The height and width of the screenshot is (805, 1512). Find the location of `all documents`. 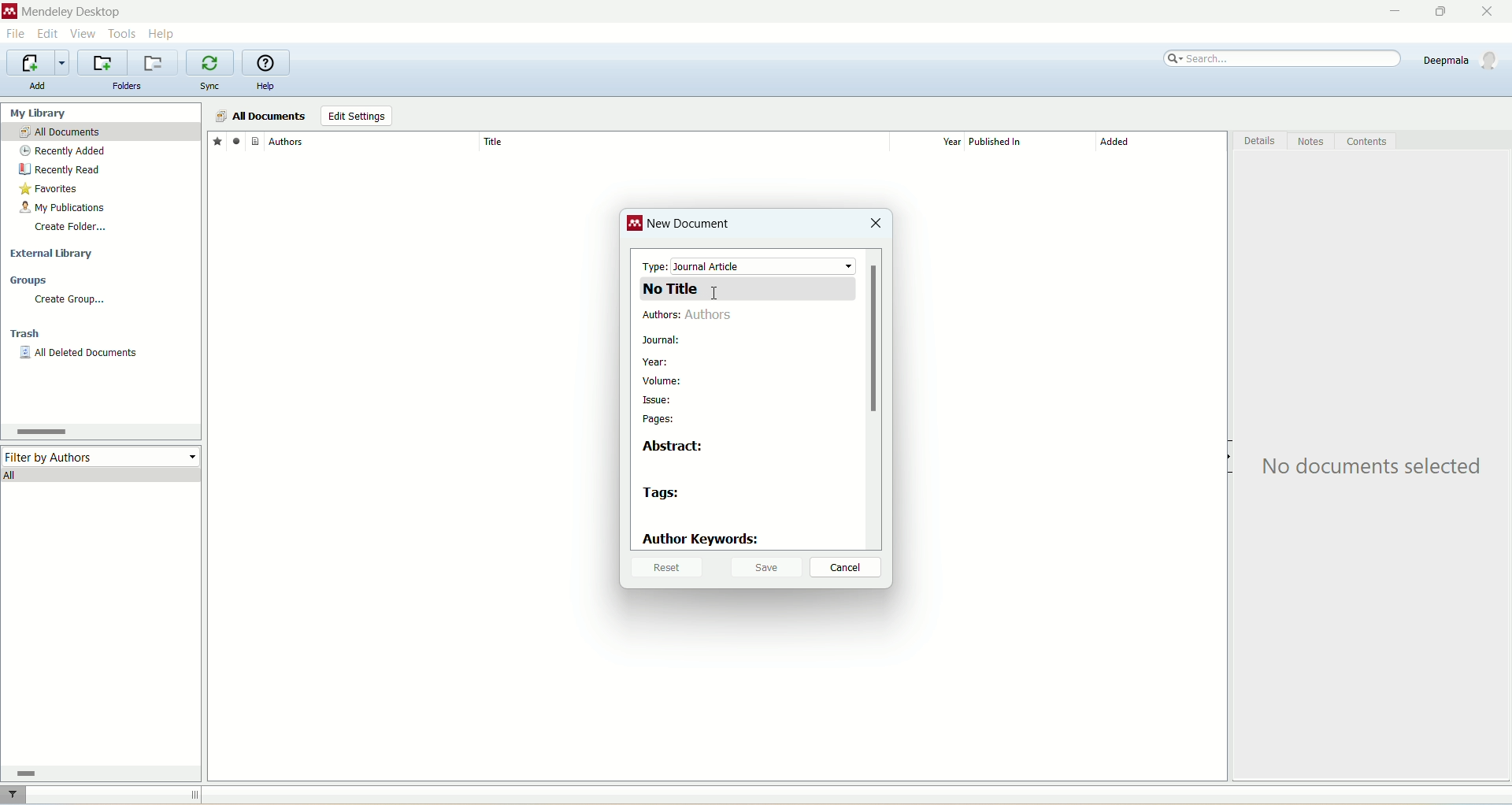

all documents is located at coordinates (101, 132).